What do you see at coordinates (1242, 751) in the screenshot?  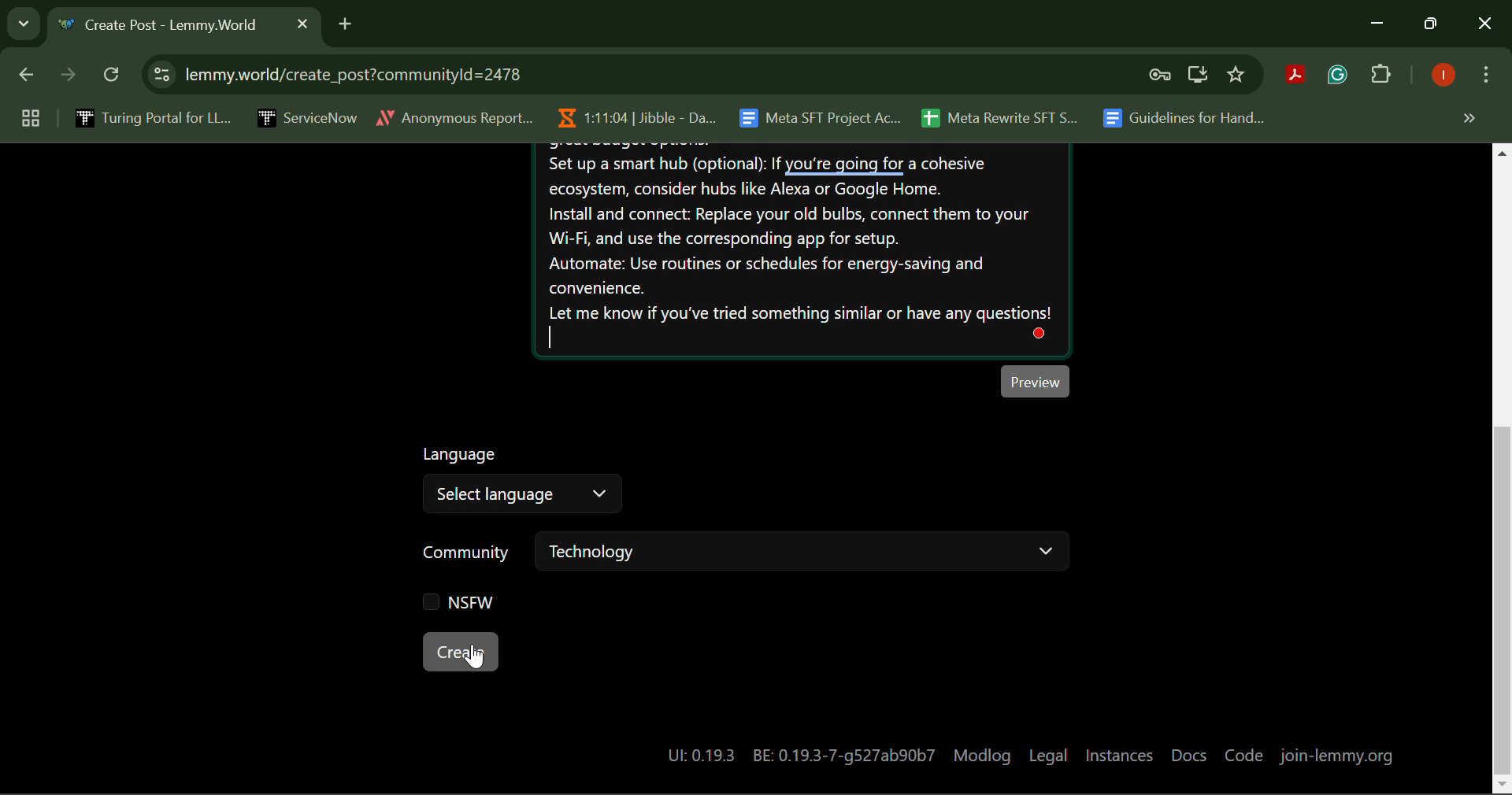 I see `Code` at bounding box center [1242, 751].